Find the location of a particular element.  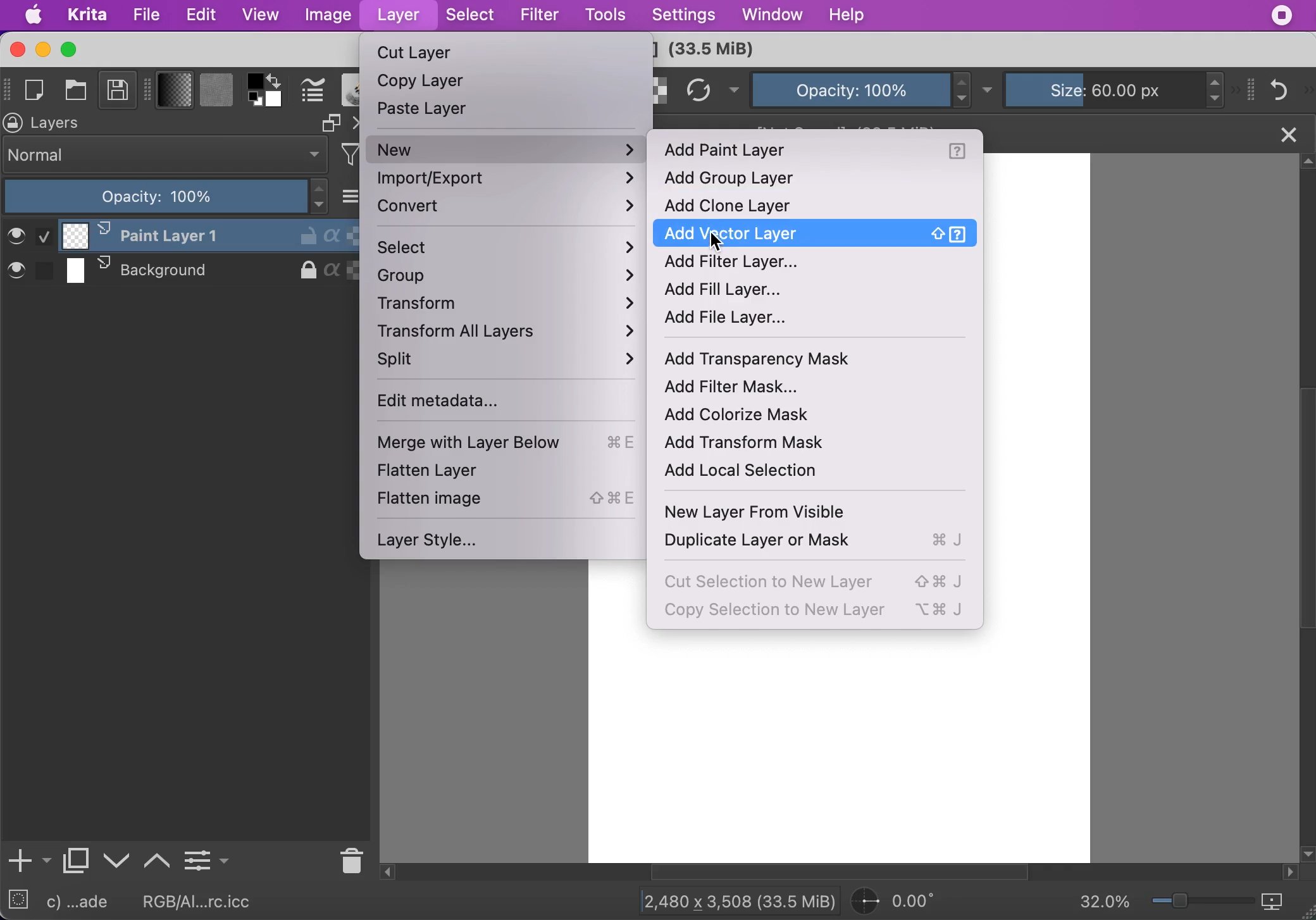

rgb/AI...rc.icc is located at coordinates (205, 902).